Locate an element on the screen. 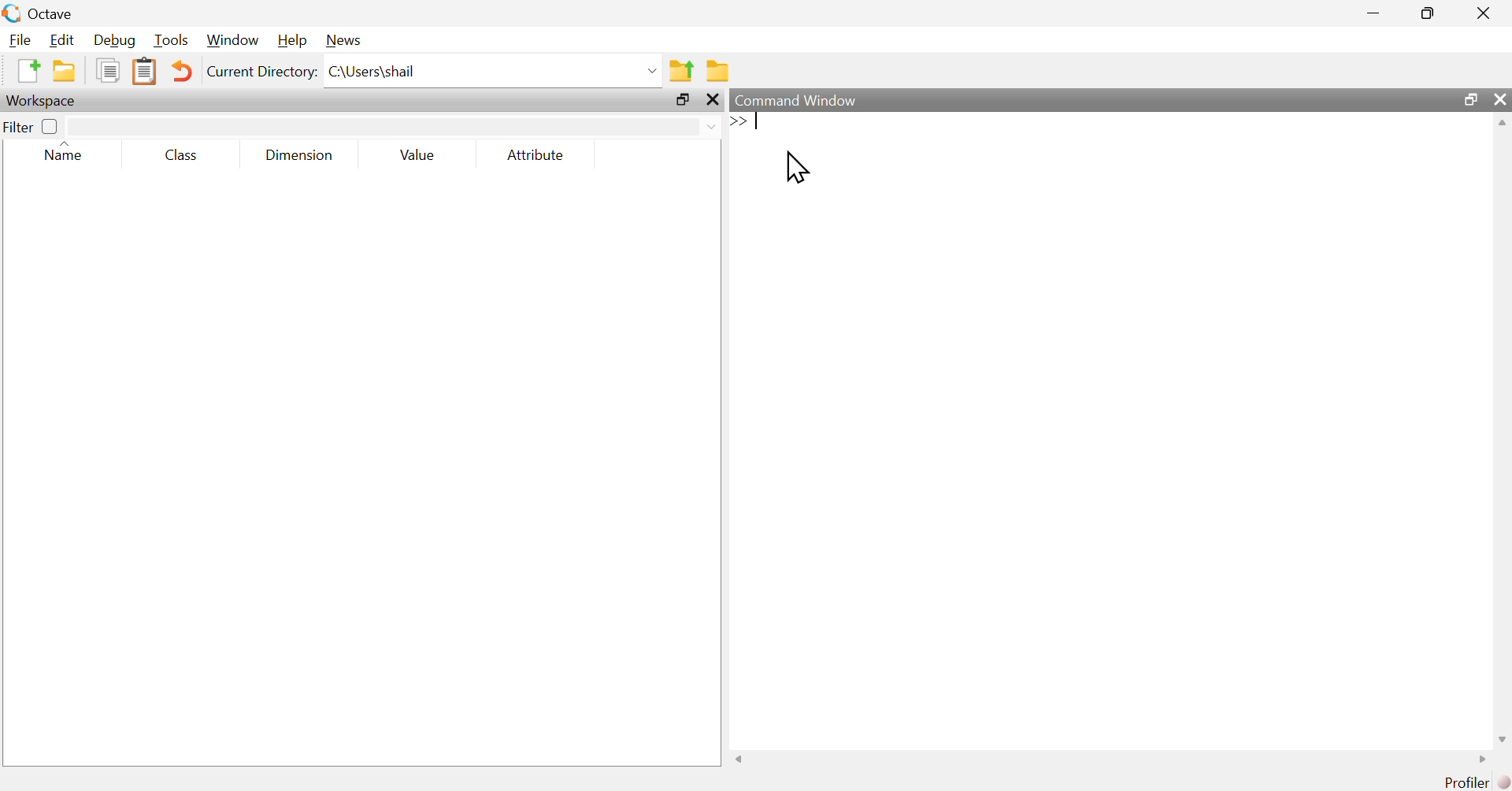  Workspace is located at coordinates (46, 101).